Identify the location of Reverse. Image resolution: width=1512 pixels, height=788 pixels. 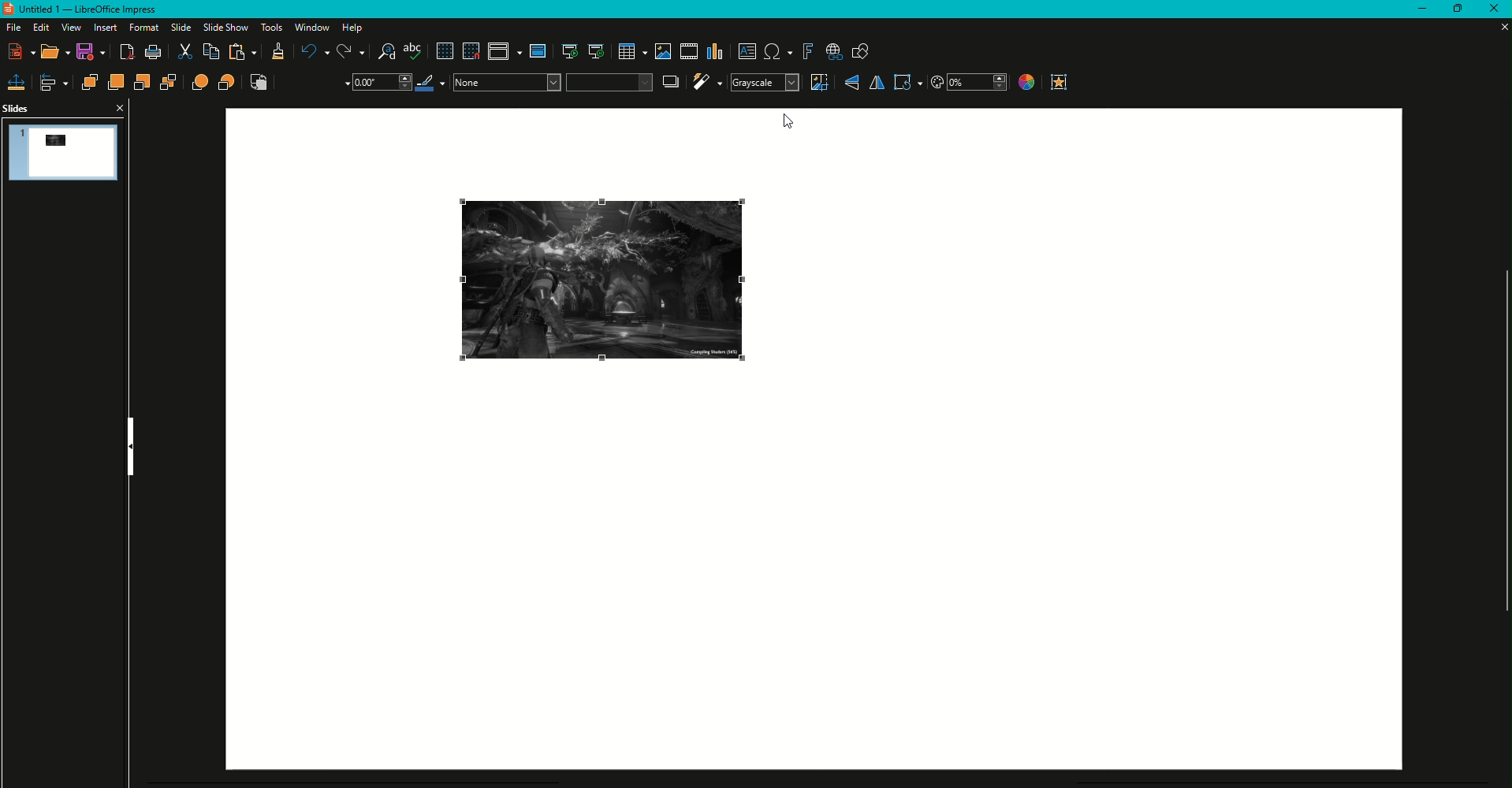
(259, 83).